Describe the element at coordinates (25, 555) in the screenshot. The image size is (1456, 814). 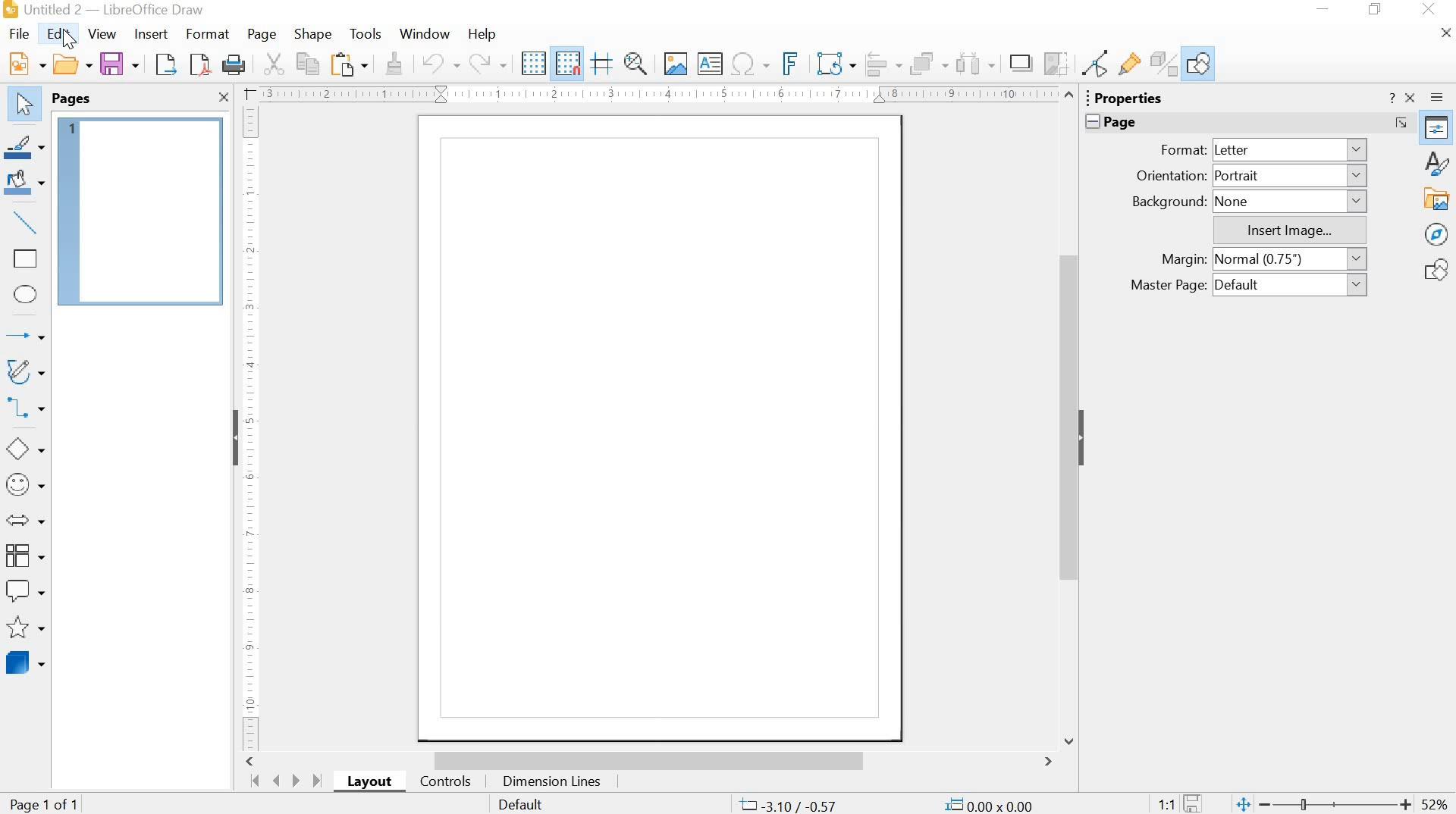
I see `Flowchart (double click for multi-selection)` at that location.